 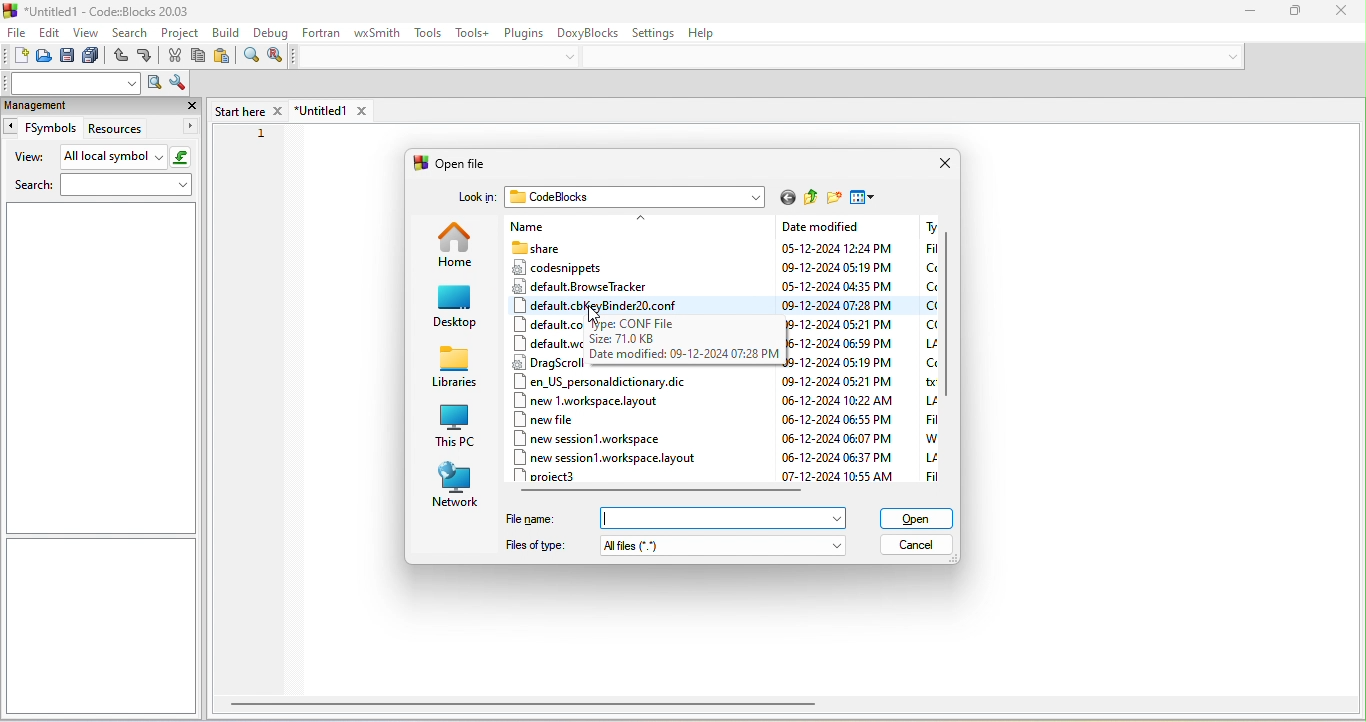 I want to click on all local symbol, so click(x=127, y=157).